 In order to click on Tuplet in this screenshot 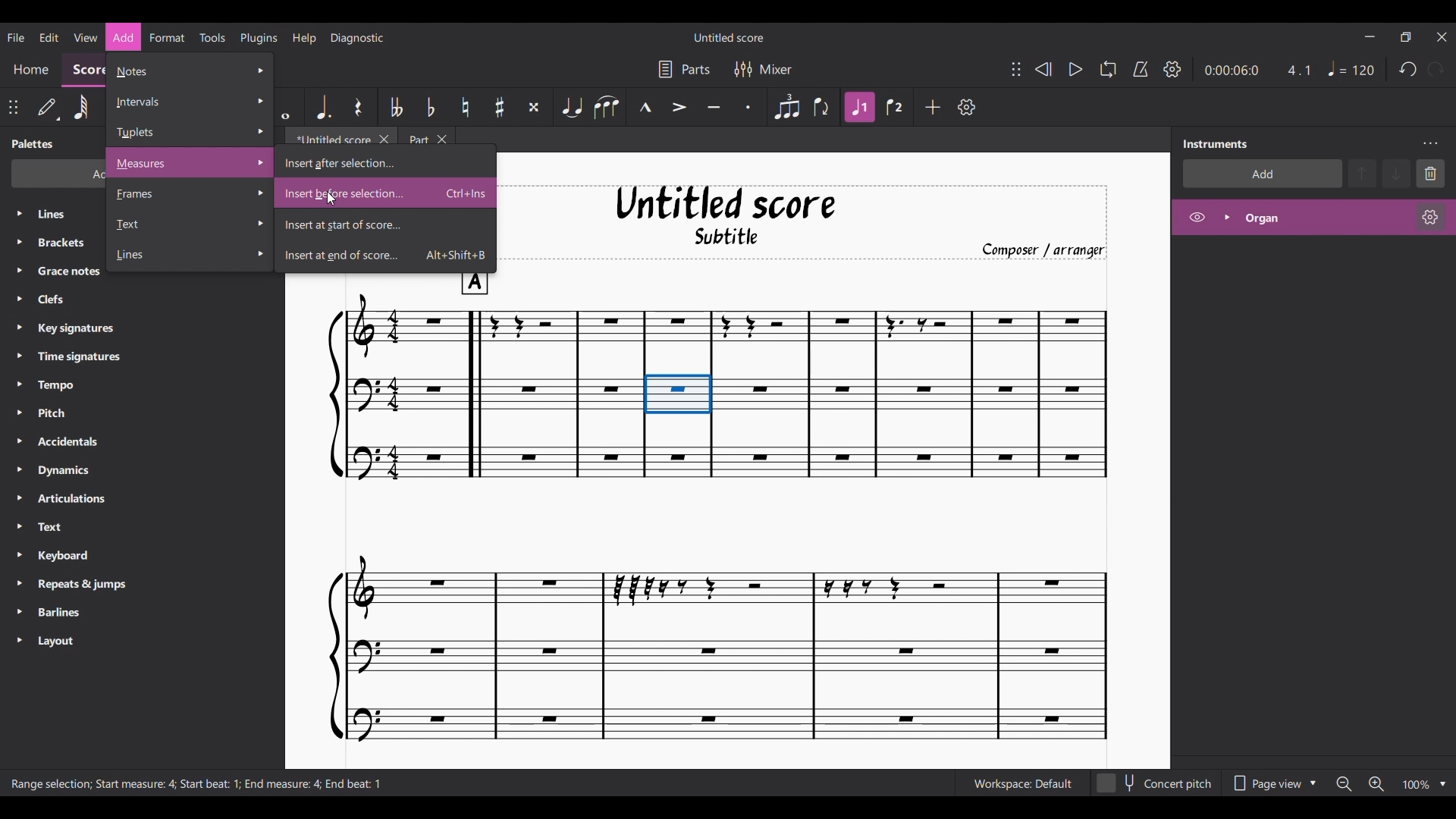, I will do `click(787, 108)`.